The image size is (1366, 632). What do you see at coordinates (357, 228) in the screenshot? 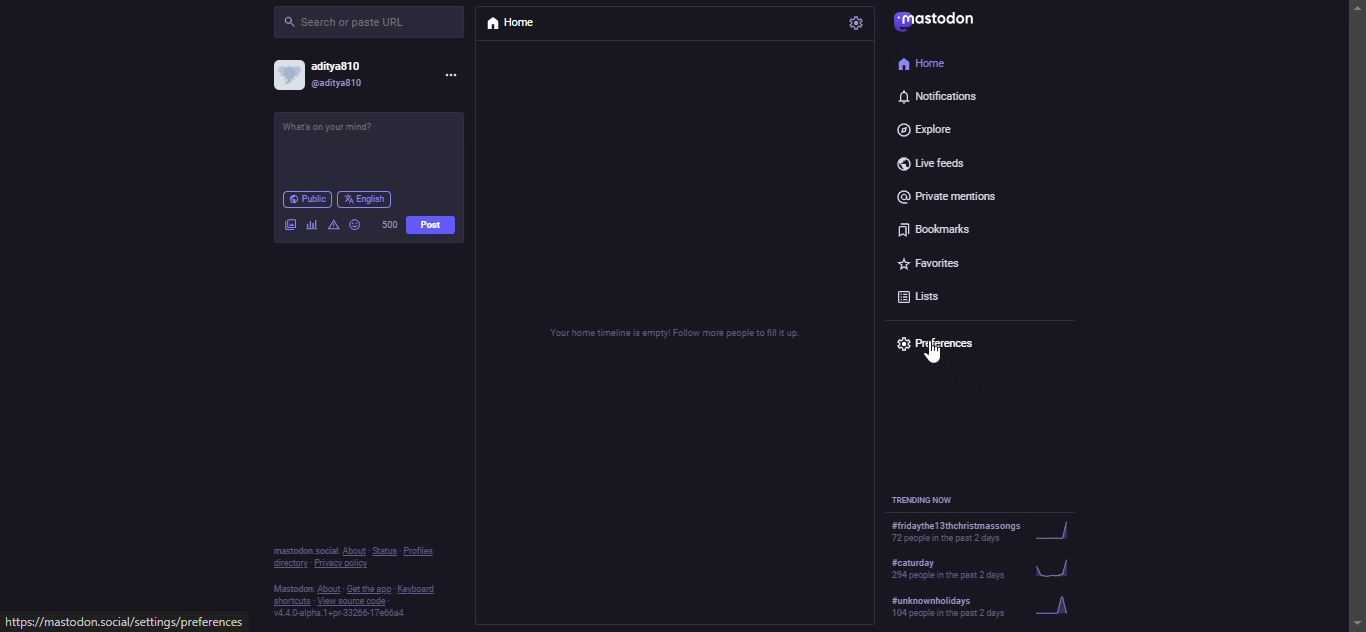
I see `emoji` at bounding box center [357, 228].